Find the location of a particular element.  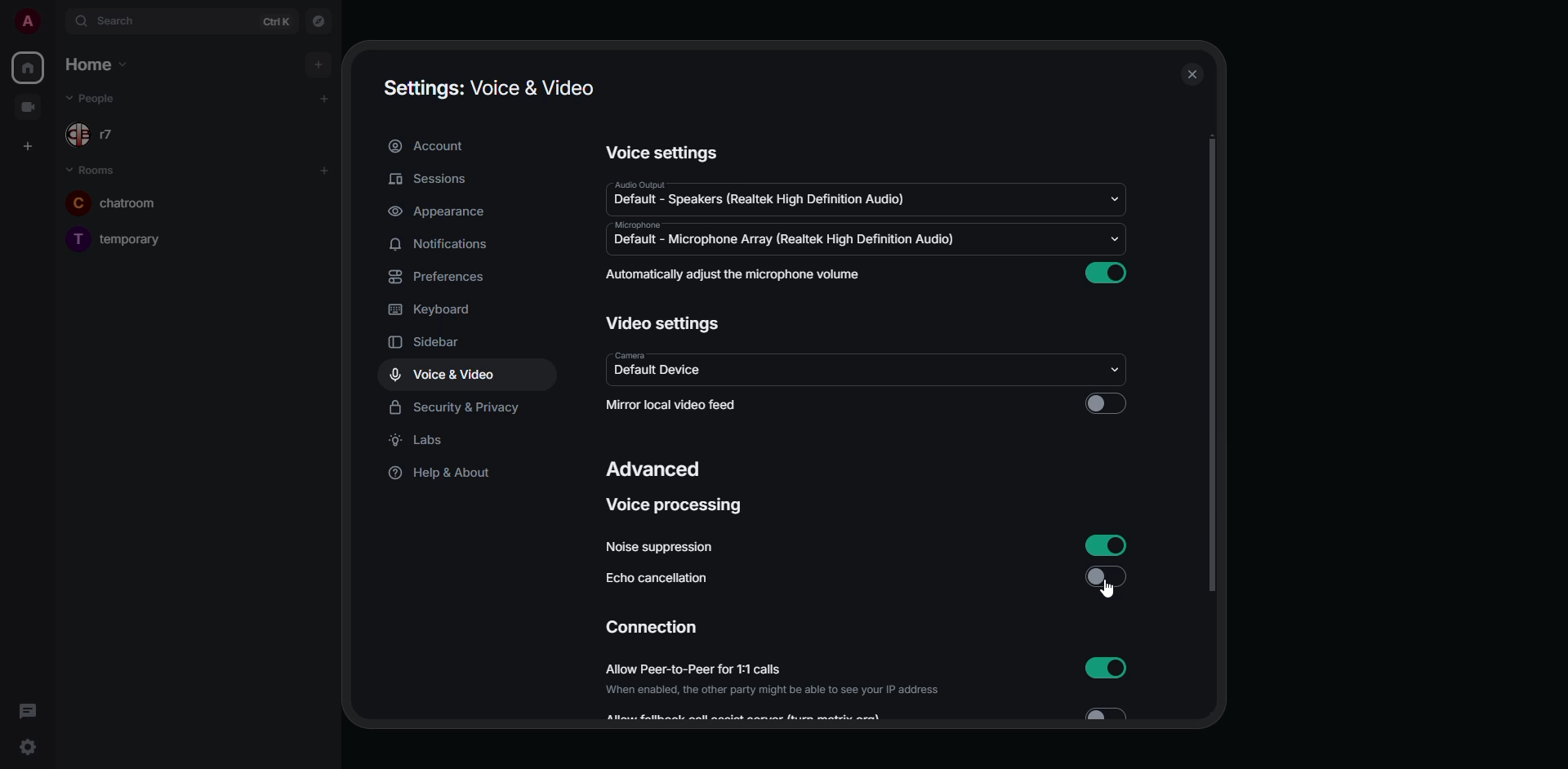

noise suppression is located at coordinates (662, 546).